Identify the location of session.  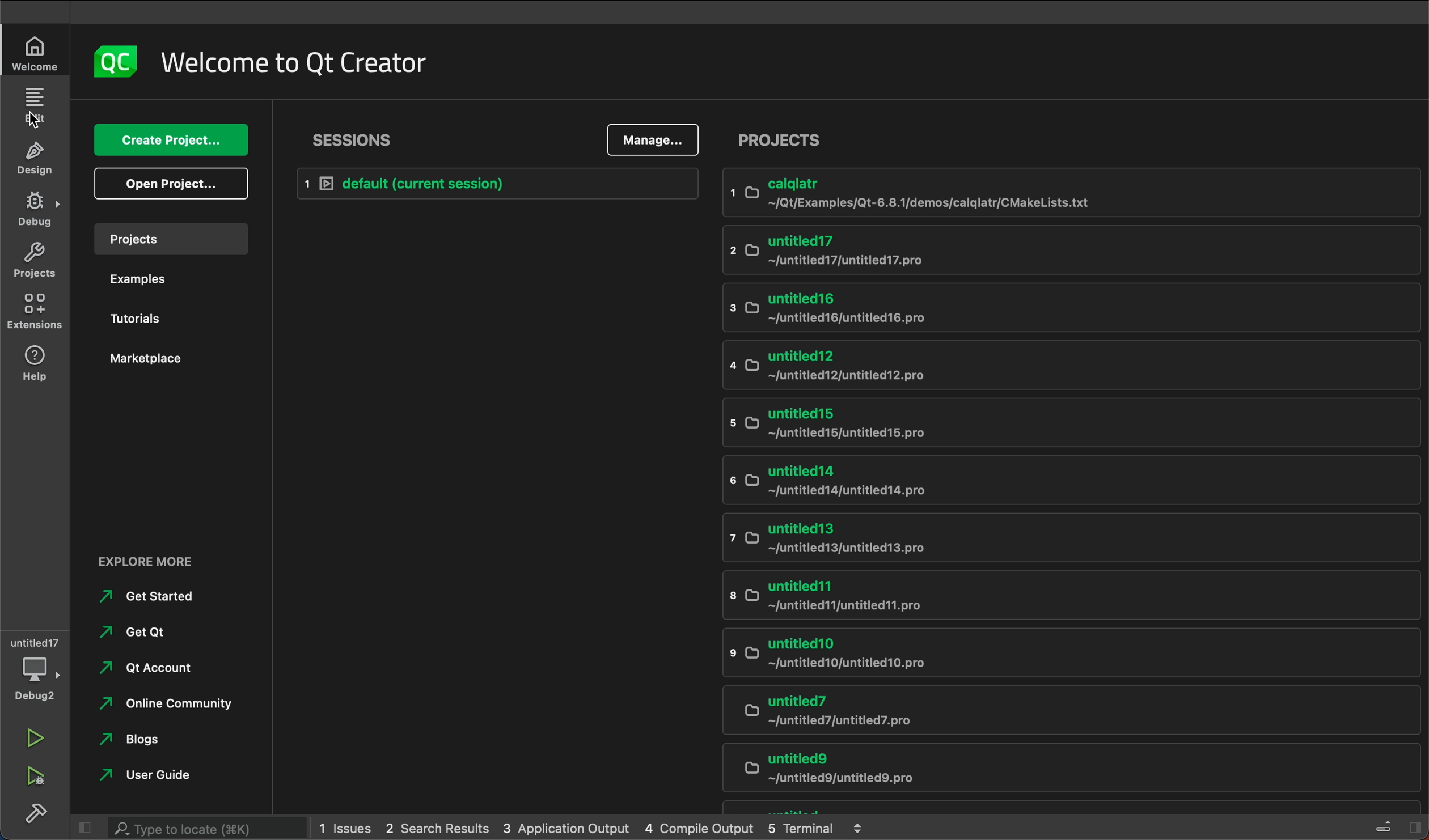
(357, 138).